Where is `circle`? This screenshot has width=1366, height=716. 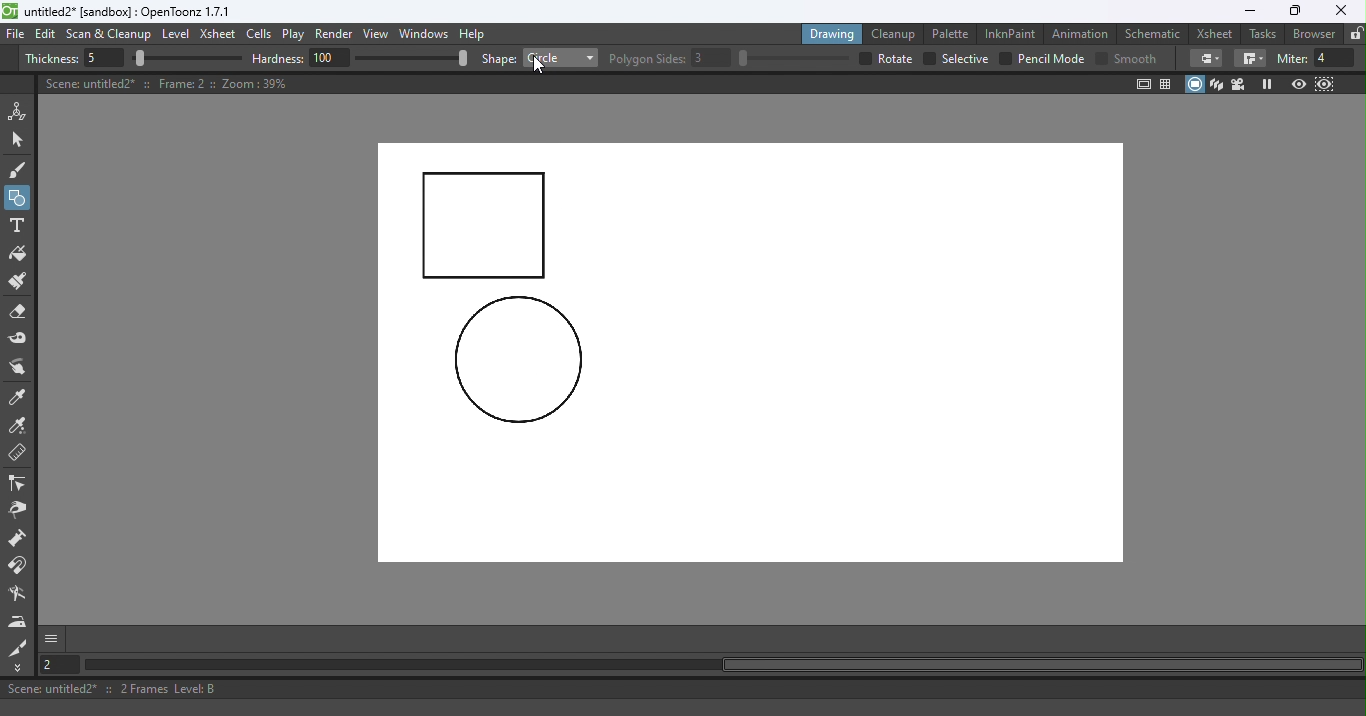
circle is located at coordinates (518, 361).